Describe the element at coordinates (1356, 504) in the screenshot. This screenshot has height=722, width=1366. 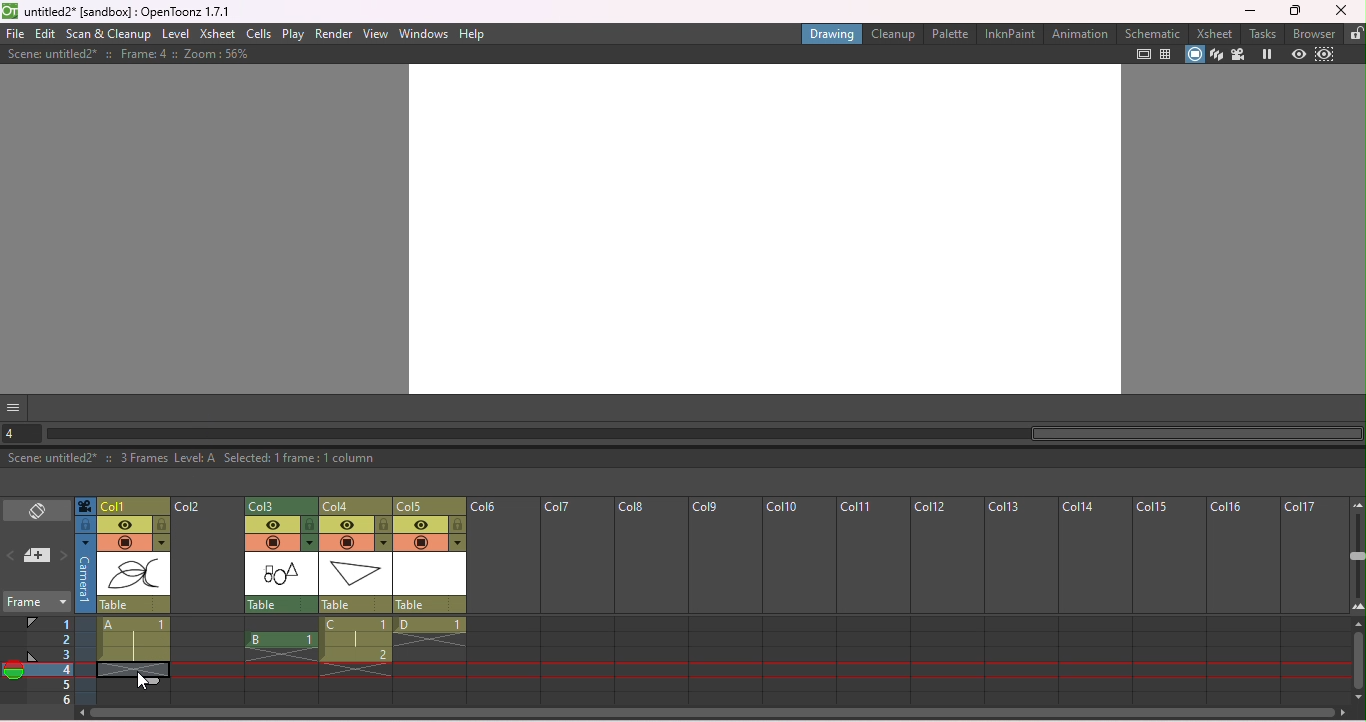
I see `Zoom out` at that location.